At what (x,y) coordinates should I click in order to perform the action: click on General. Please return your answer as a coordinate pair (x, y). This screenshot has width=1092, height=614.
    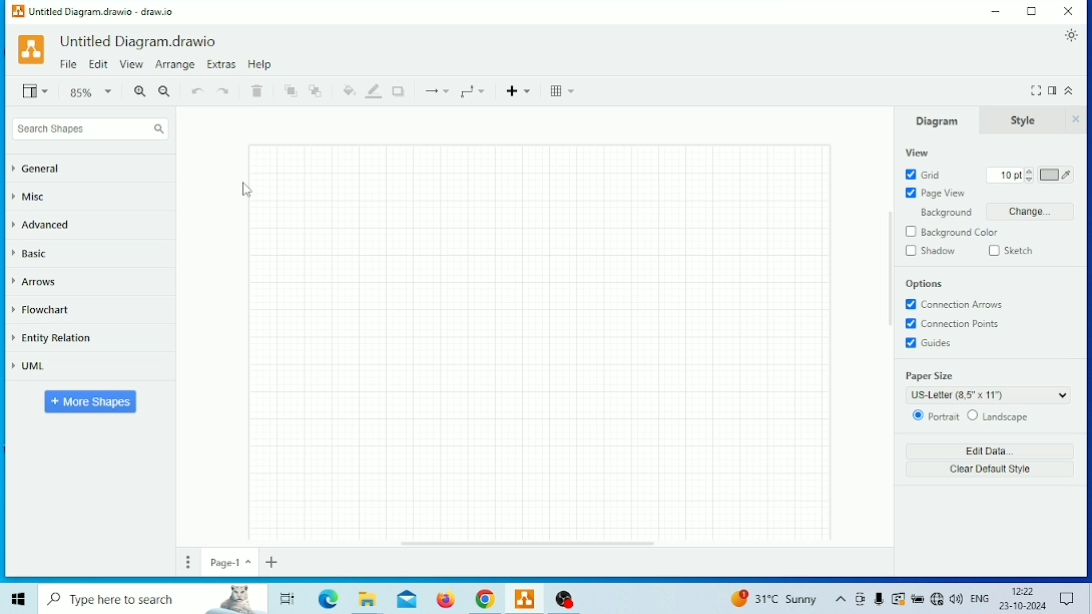
    Looking at the image, I should click on (38, 169).